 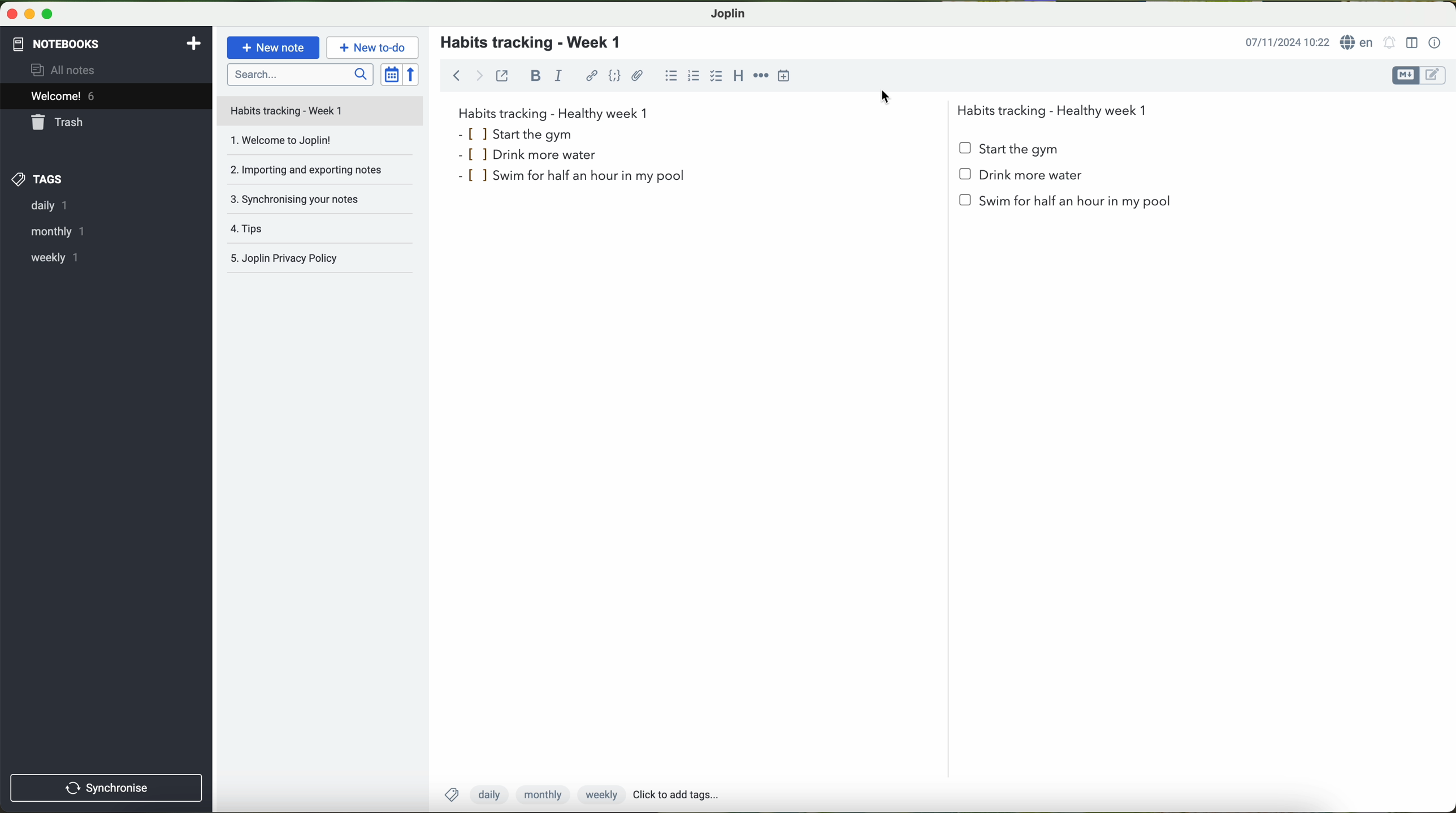 I want to click on welcome to Joplin, so click(x=319, y=143).